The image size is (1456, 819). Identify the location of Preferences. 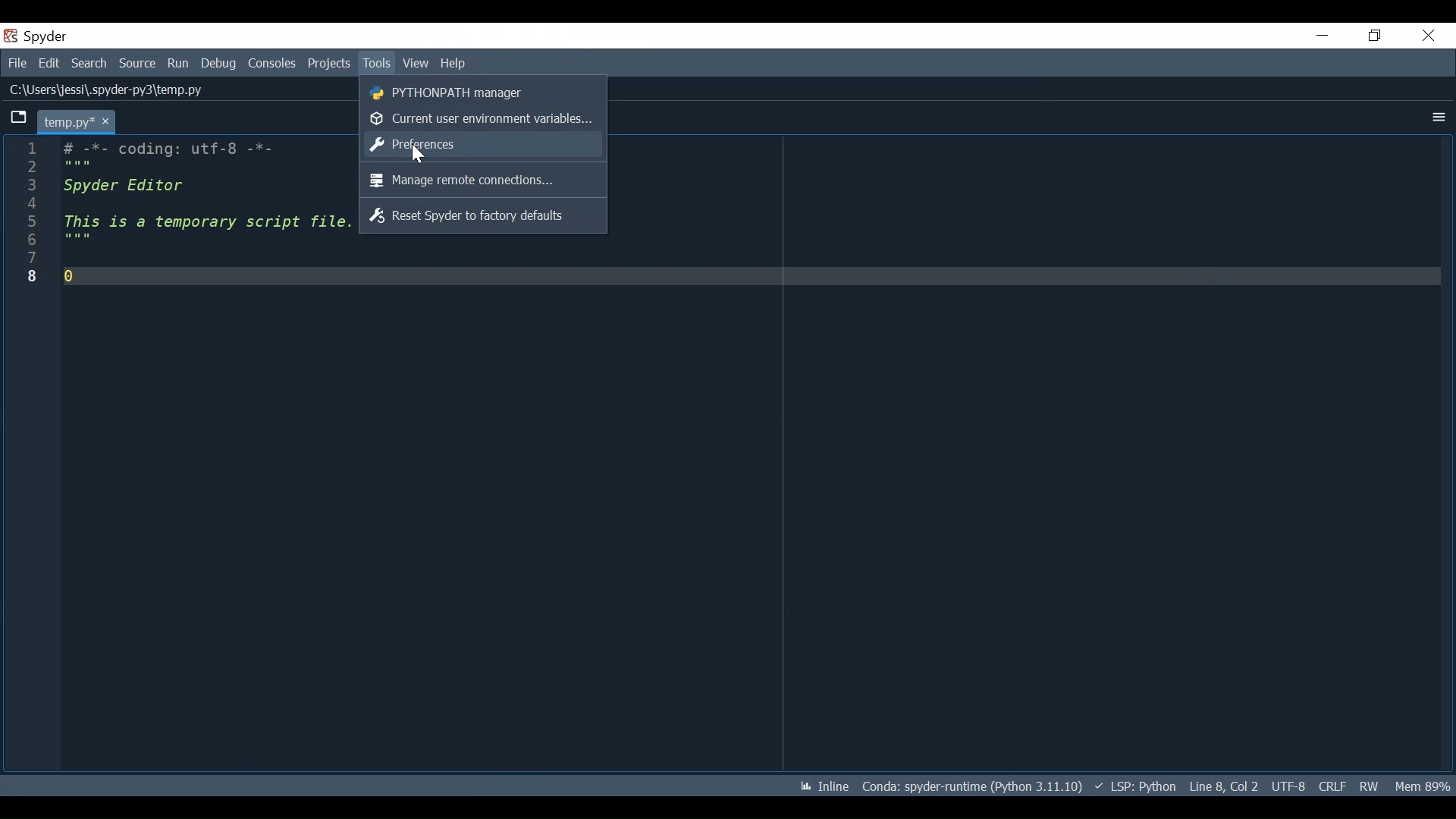
(481, 147).